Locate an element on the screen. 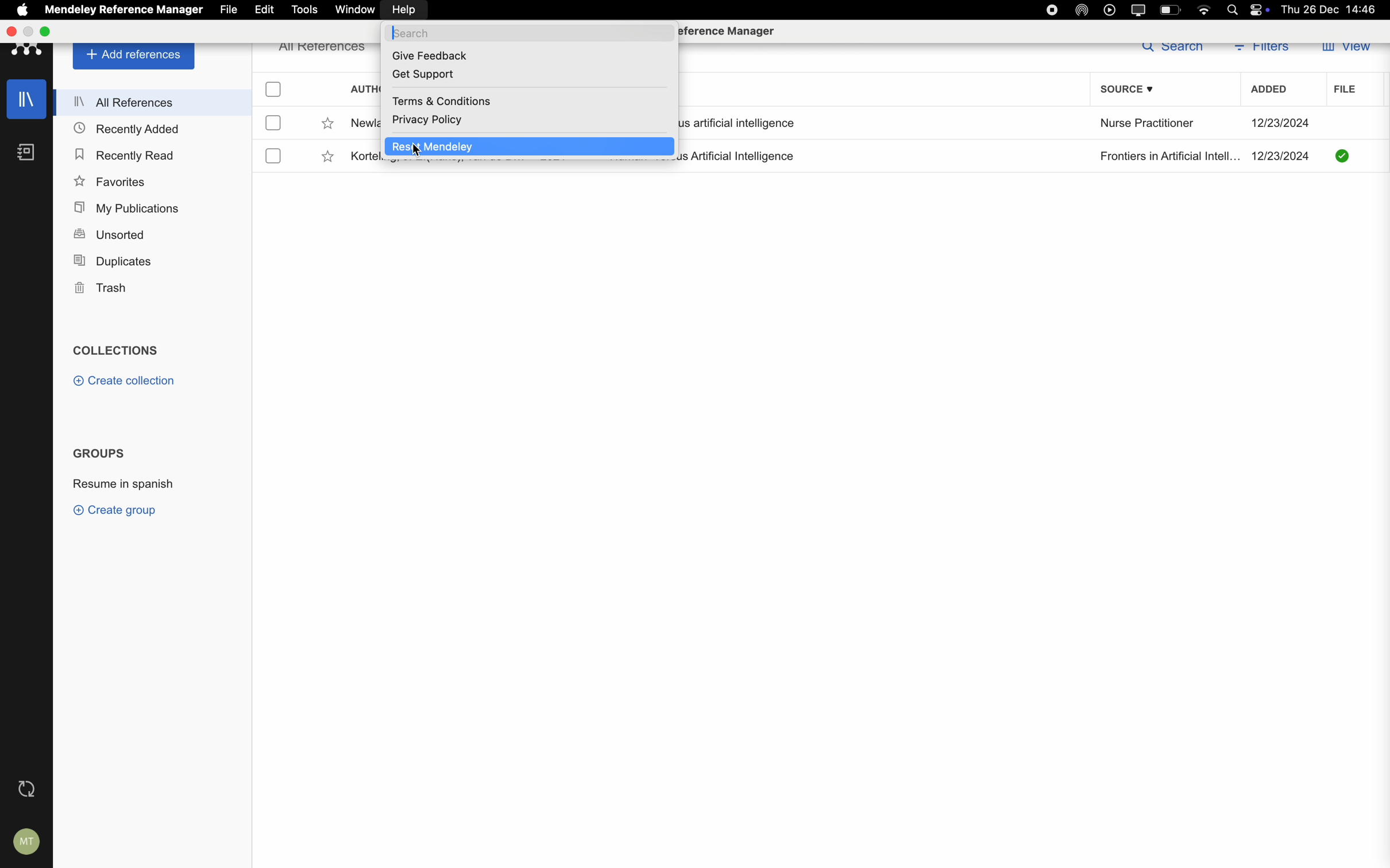 The height and width of the screenshot is (868, 1390). create group is located at coordinates (115, 512).